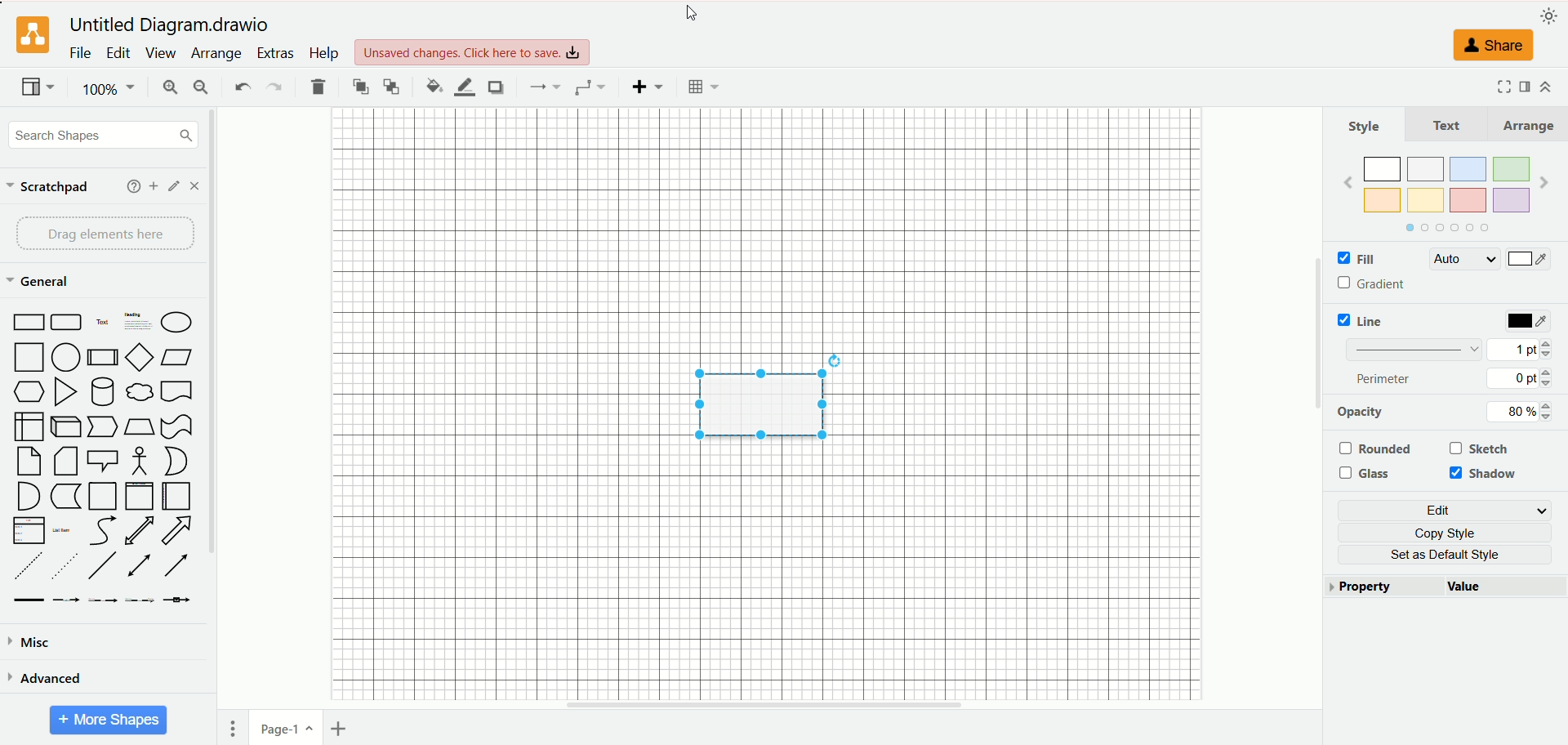 The height and width of the screenshot is (745, 1568). What do you see at coordinates (1347, 182) in the screenshot?
I see `previous color options` at bounding box center [1347, 182].